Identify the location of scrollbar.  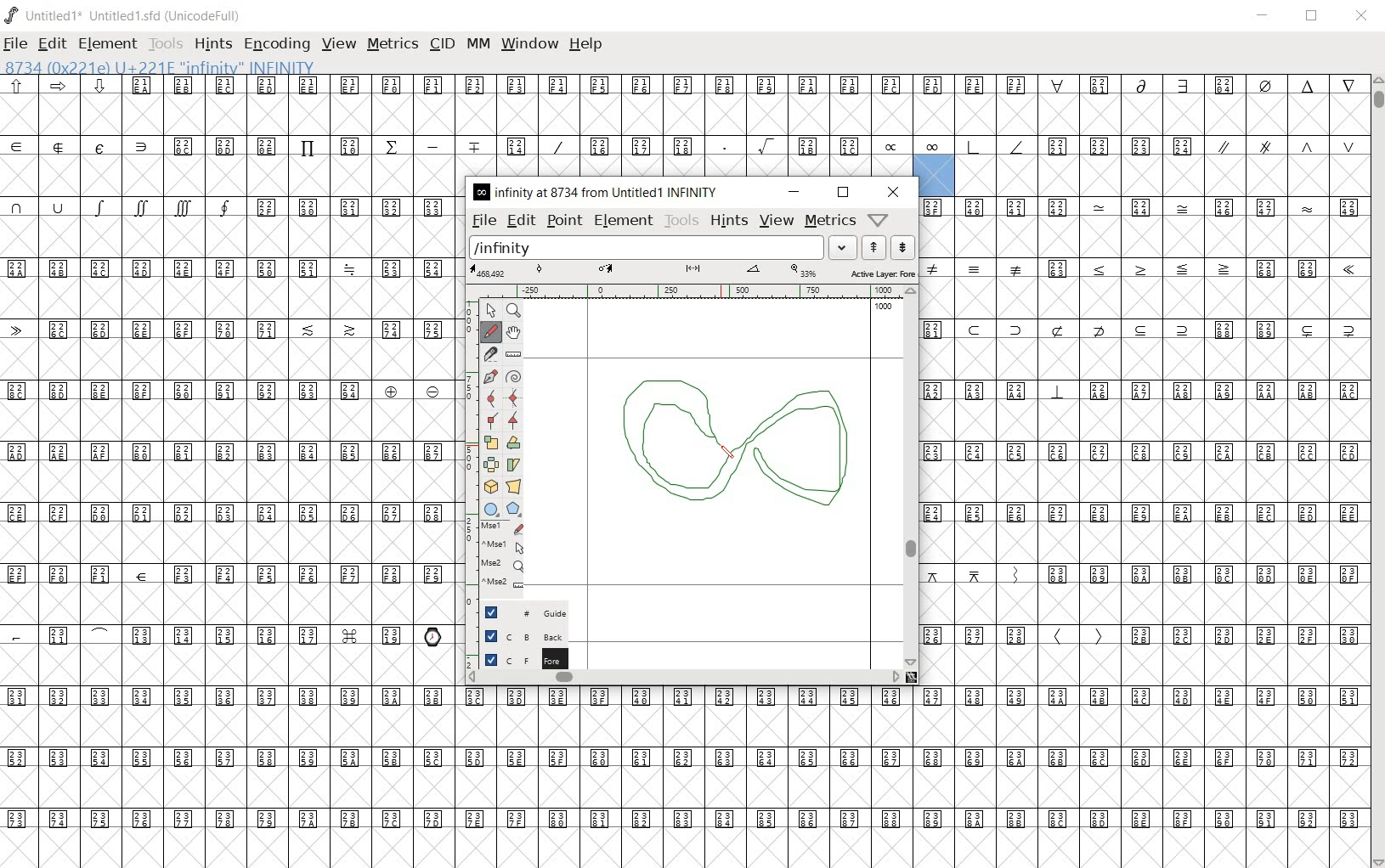
(685, 679).